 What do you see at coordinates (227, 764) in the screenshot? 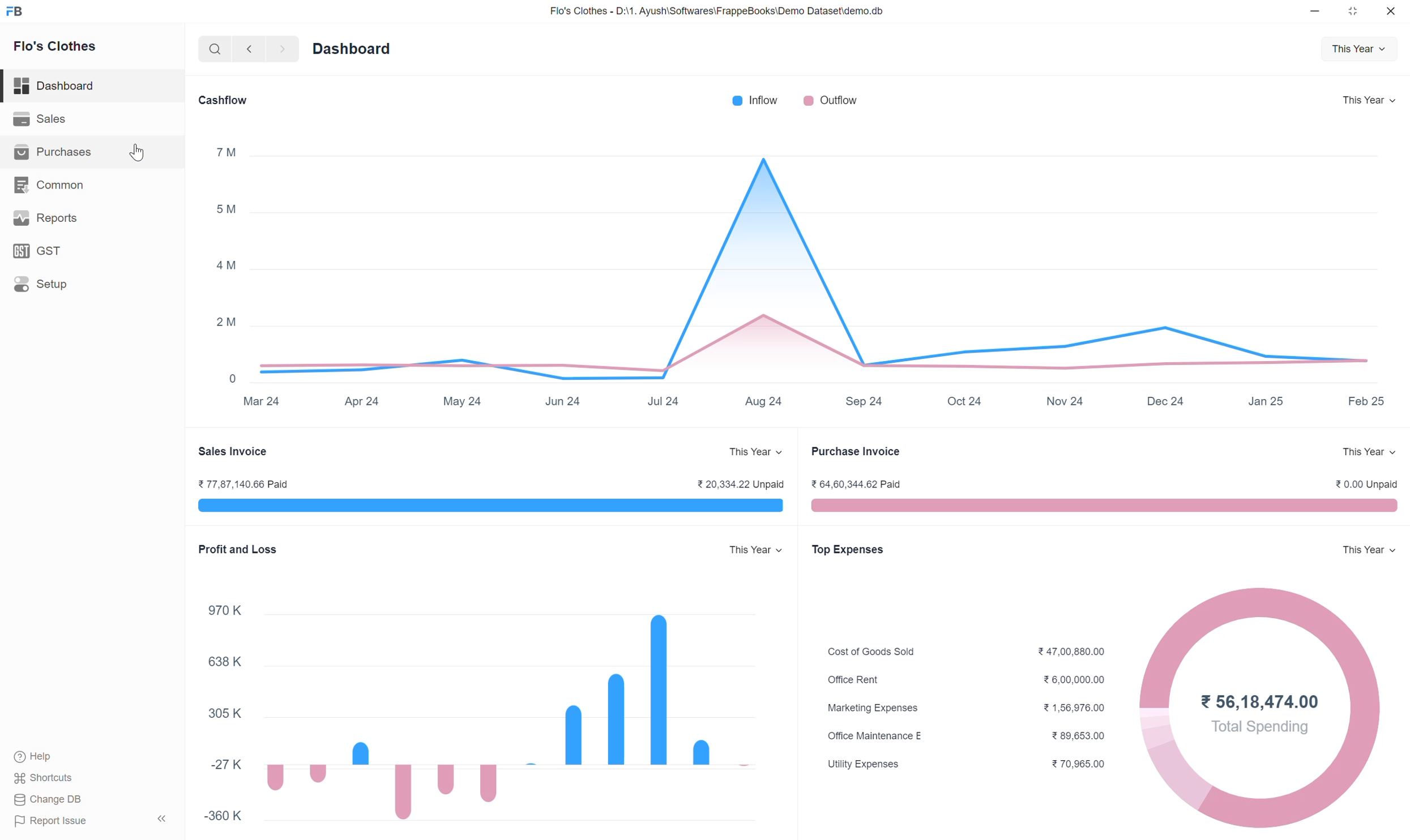
I see `-27 K` at bounding box center [227, 764].